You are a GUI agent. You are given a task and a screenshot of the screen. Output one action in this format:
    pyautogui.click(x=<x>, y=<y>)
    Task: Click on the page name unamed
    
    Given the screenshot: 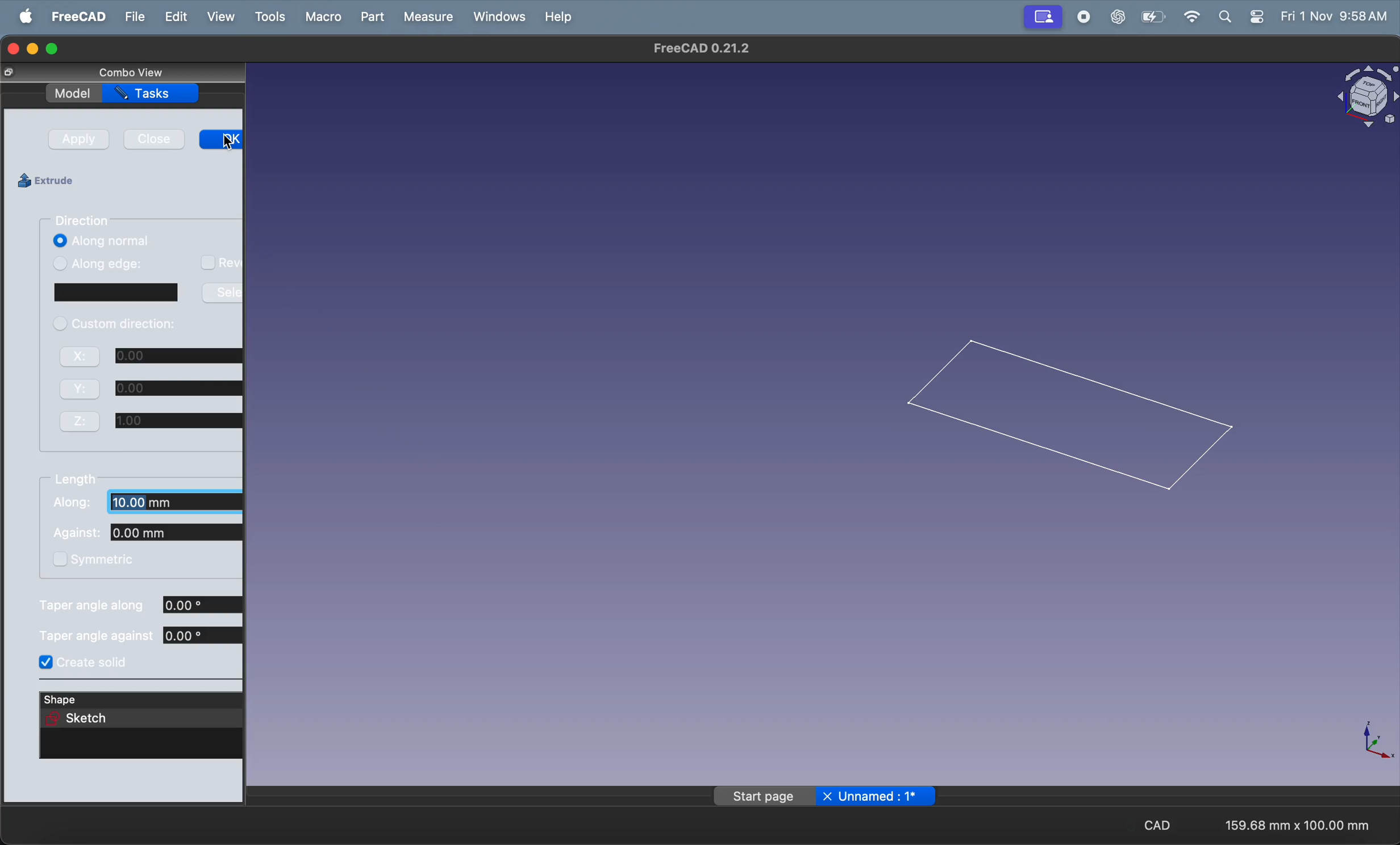 What is the action you would take?
    pyautogui.click(x=827, y=795)
    